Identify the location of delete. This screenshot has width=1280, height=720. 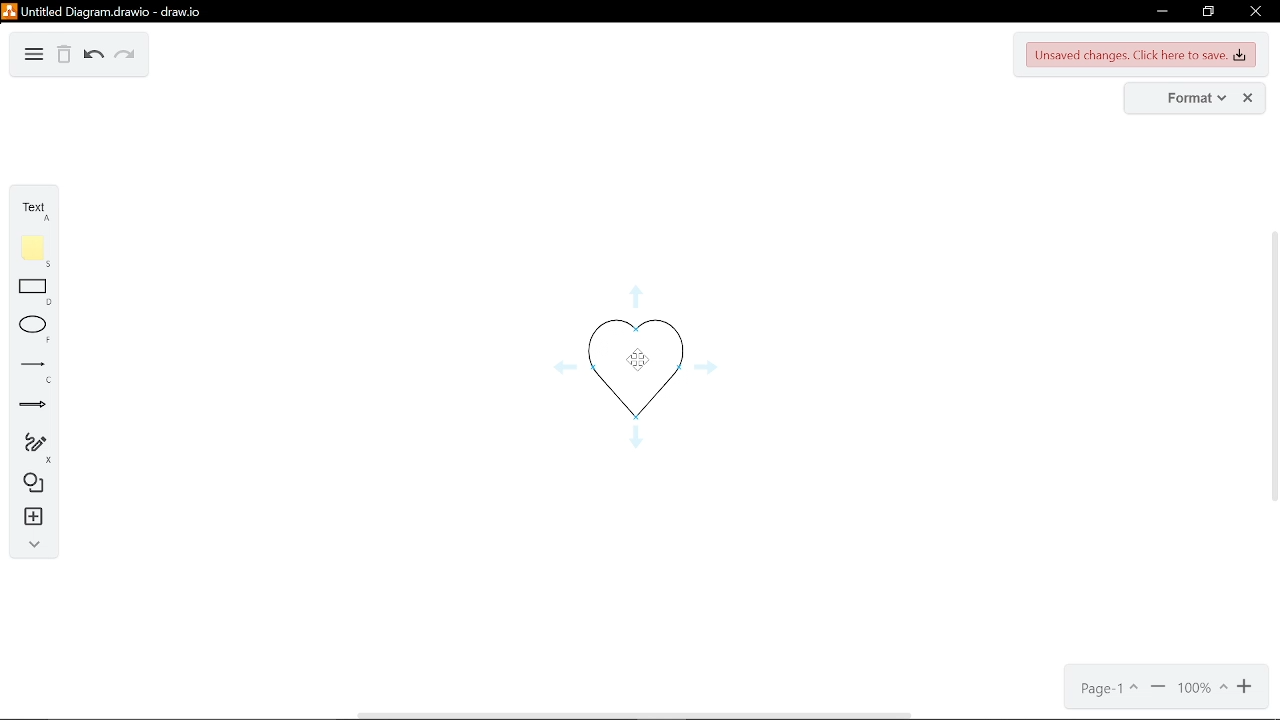
(66, 56).